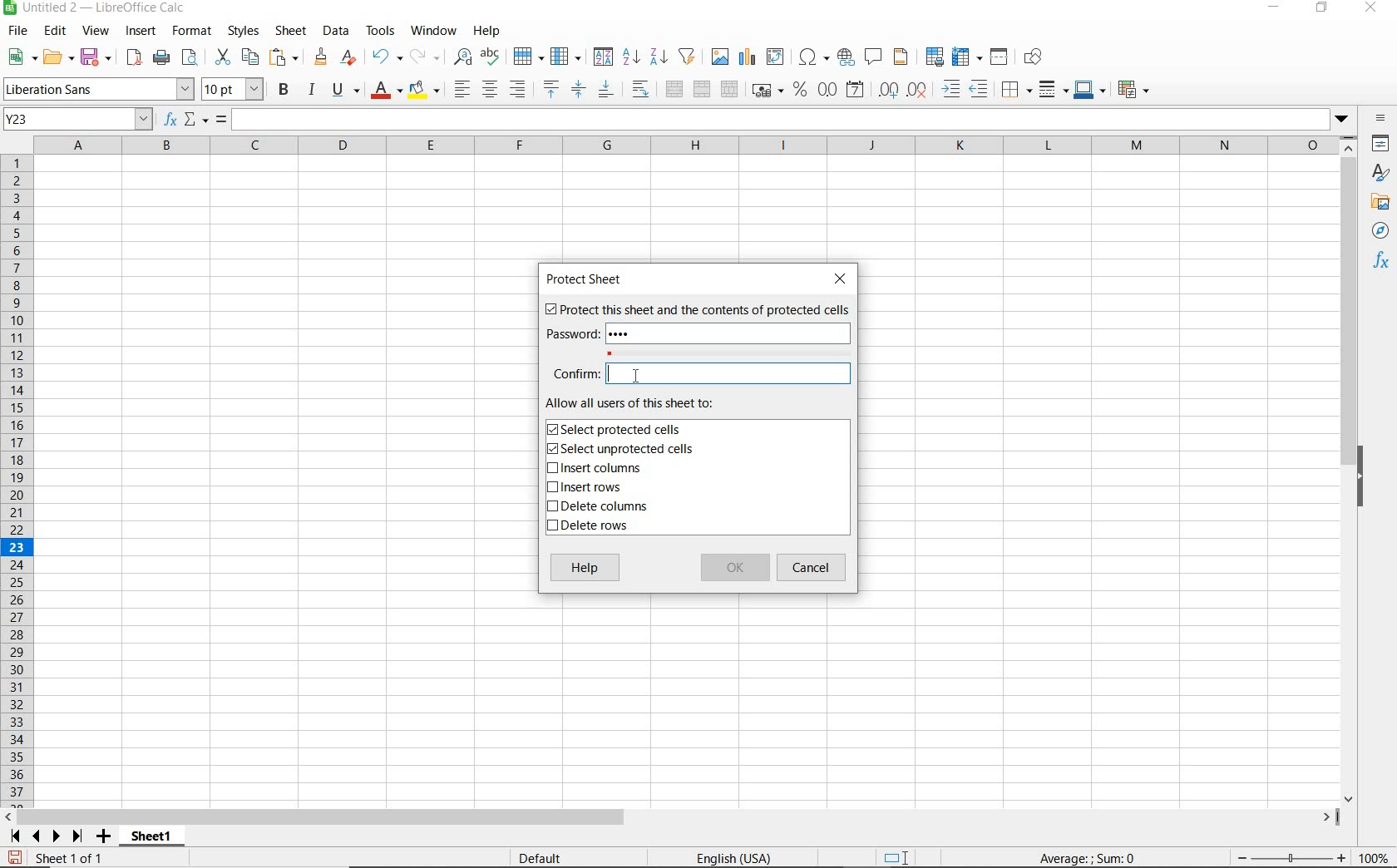 The image size is (1397, 868). What do you see at coordinates (1375, 859) in the screenshot?
I see `ZOOM FACTOR` at bounding box center [1375, 859].